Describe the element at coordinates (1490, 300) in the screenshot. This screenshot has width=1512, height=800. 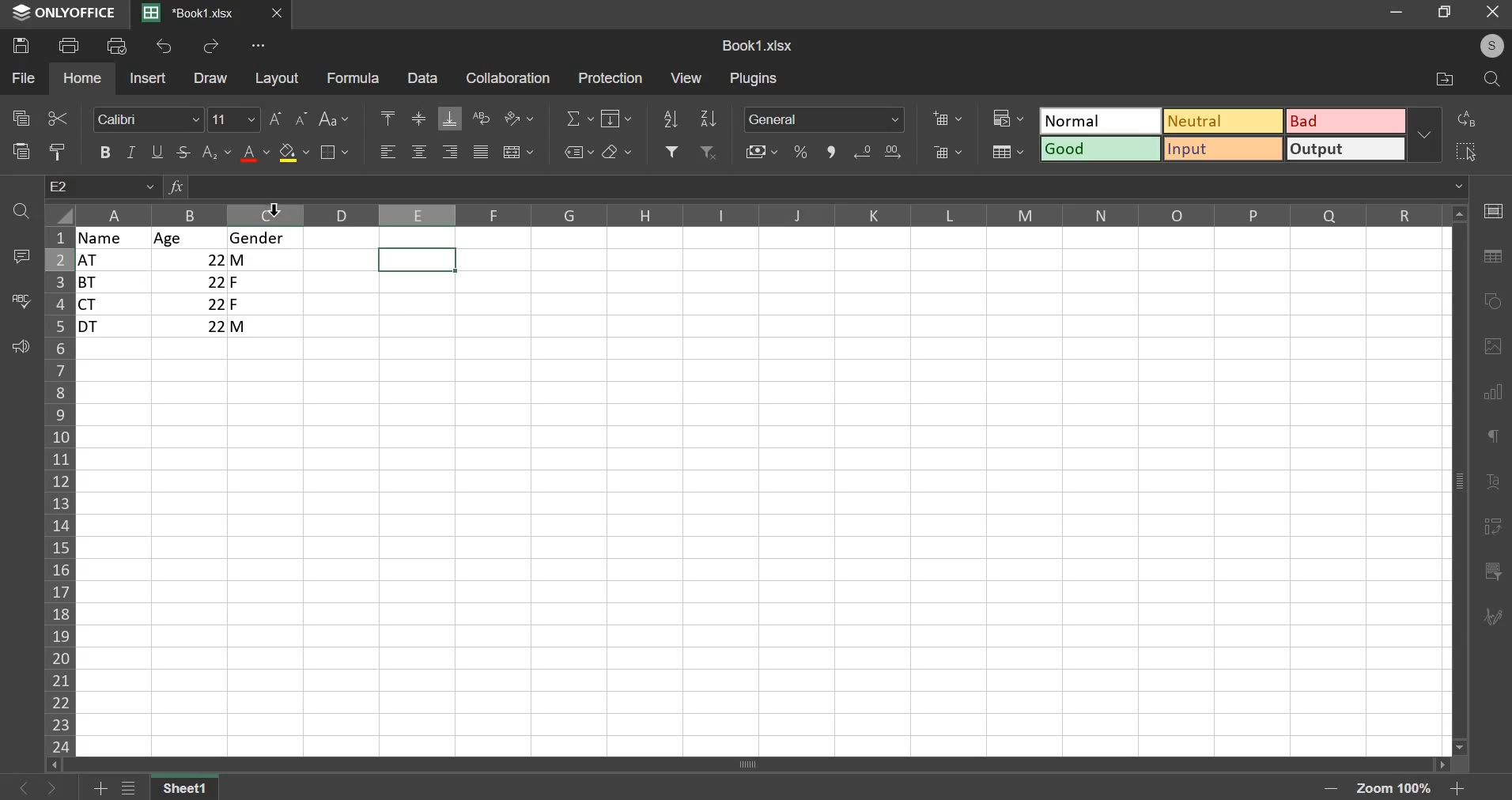
I see `shape` at that location.